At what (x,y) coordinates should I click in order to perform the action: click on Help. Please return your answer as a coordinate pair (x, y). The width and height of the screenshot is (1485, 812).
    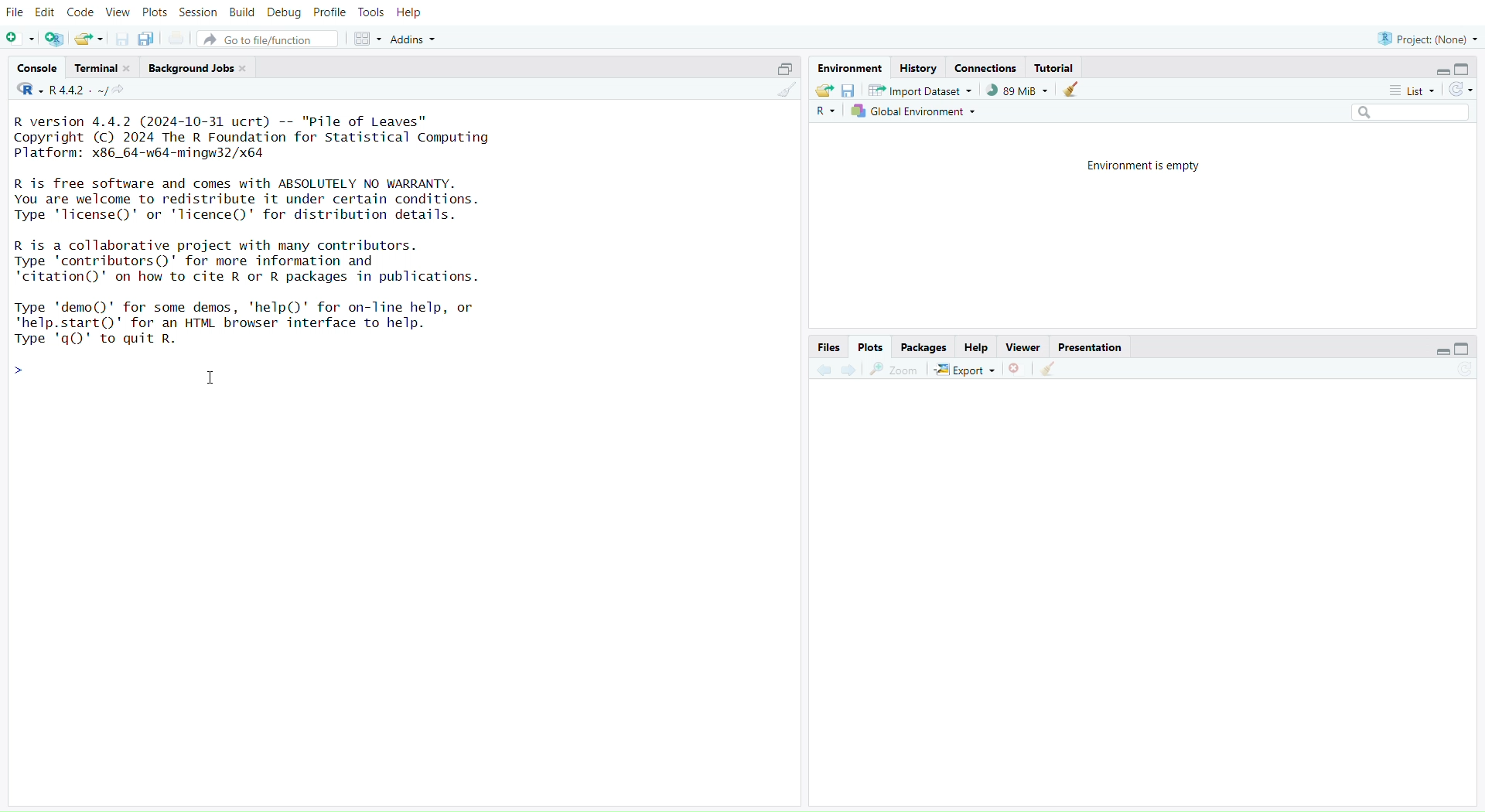
    Looking at the image, I should click on (975, 346).